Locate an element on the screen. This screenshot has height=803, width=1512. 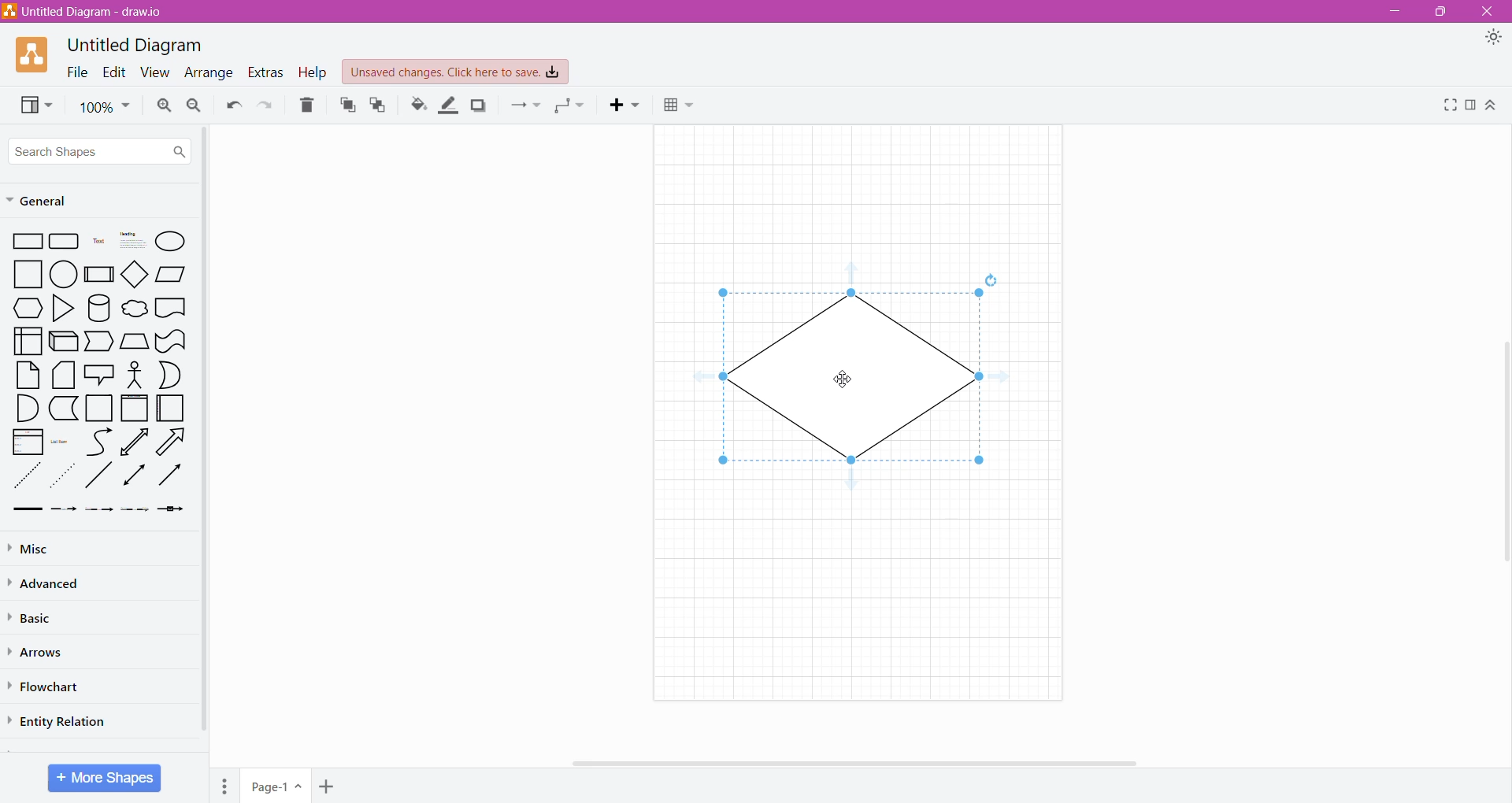
View is located at coordinates (35, 105).